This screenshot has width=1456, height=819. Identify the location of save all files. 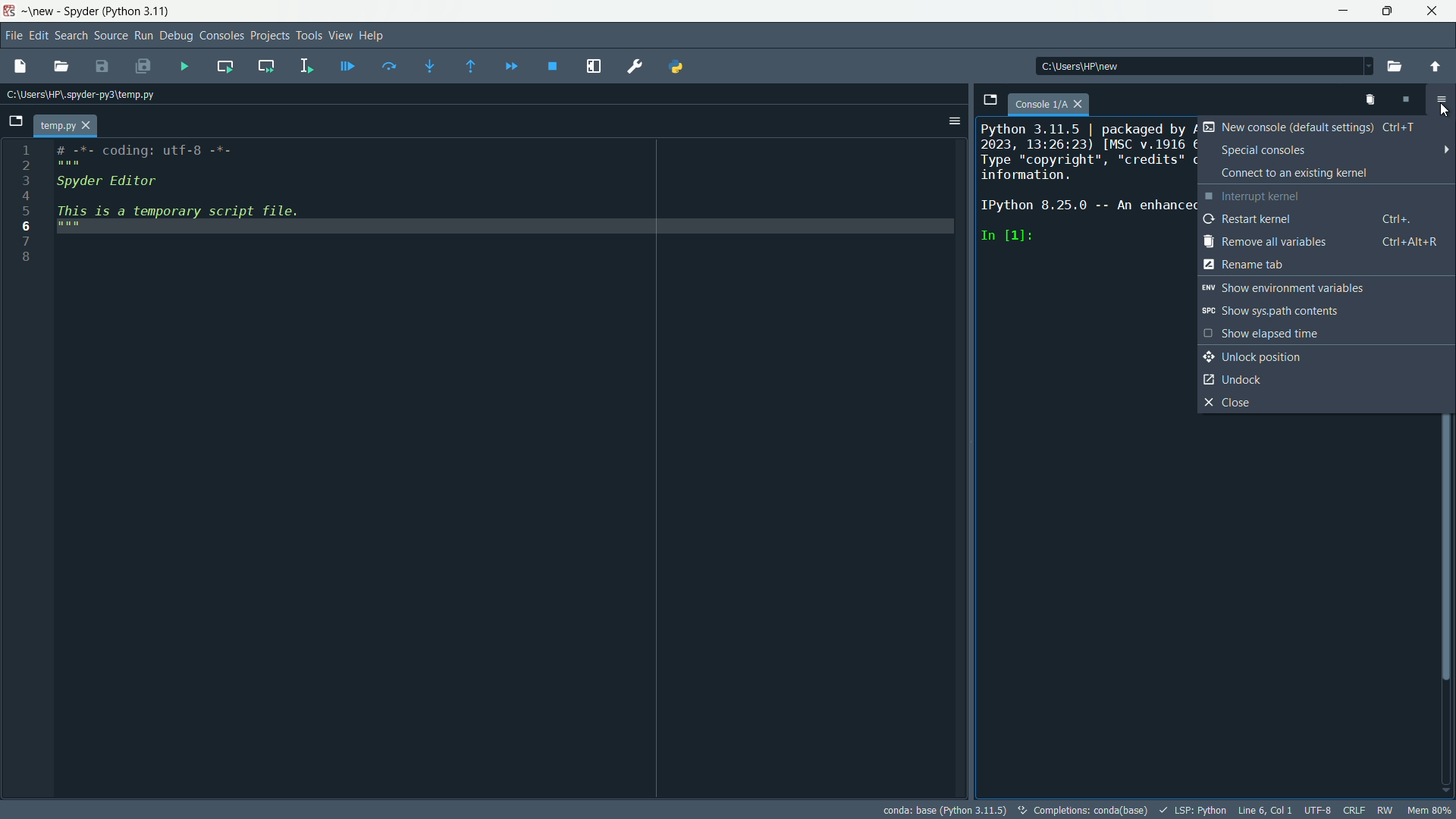
(140, 65).